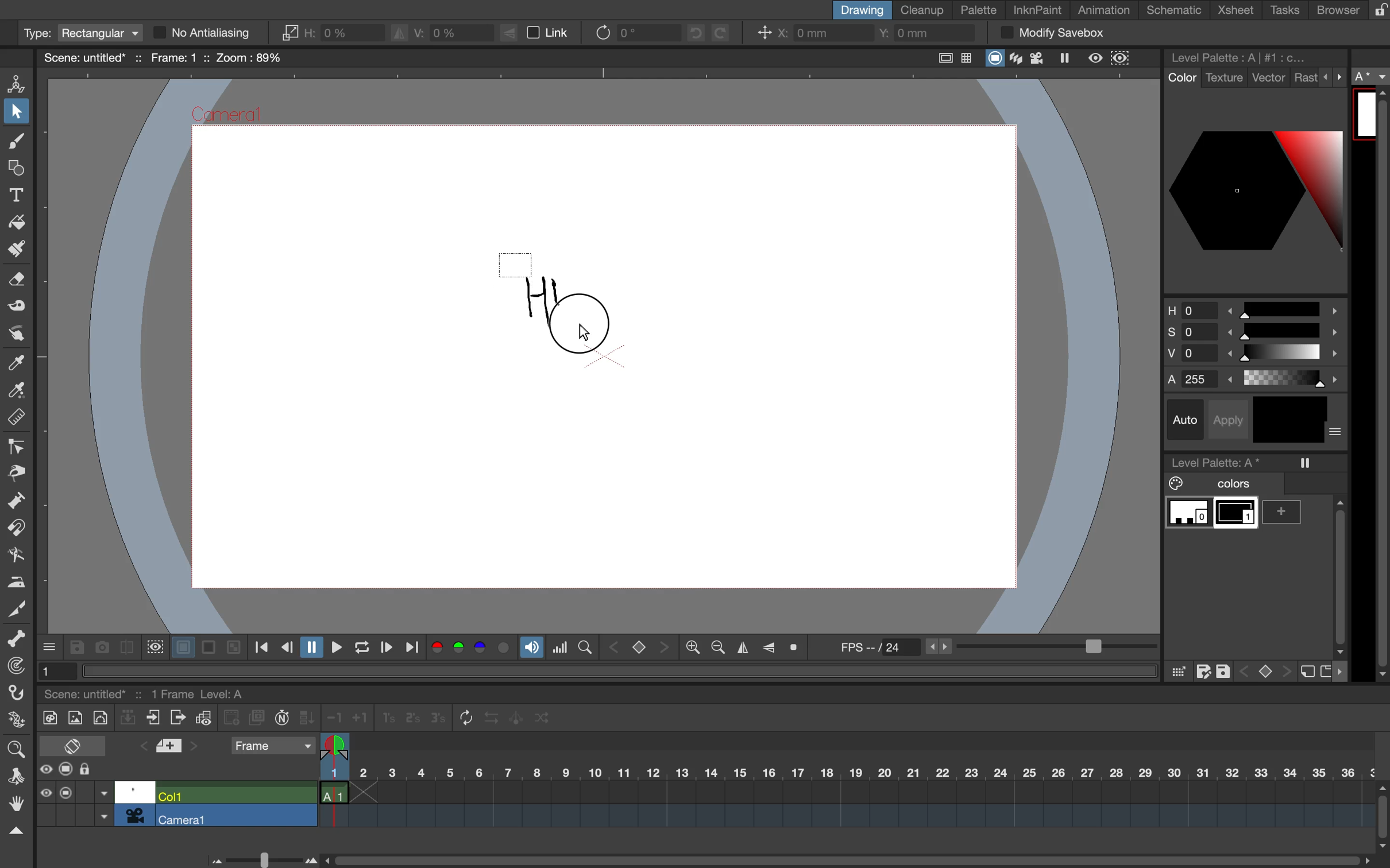 The image size is (1390, 868). Describe the element at coordinates (17, 219) in the screenshot. I see `fill tool` at that location.